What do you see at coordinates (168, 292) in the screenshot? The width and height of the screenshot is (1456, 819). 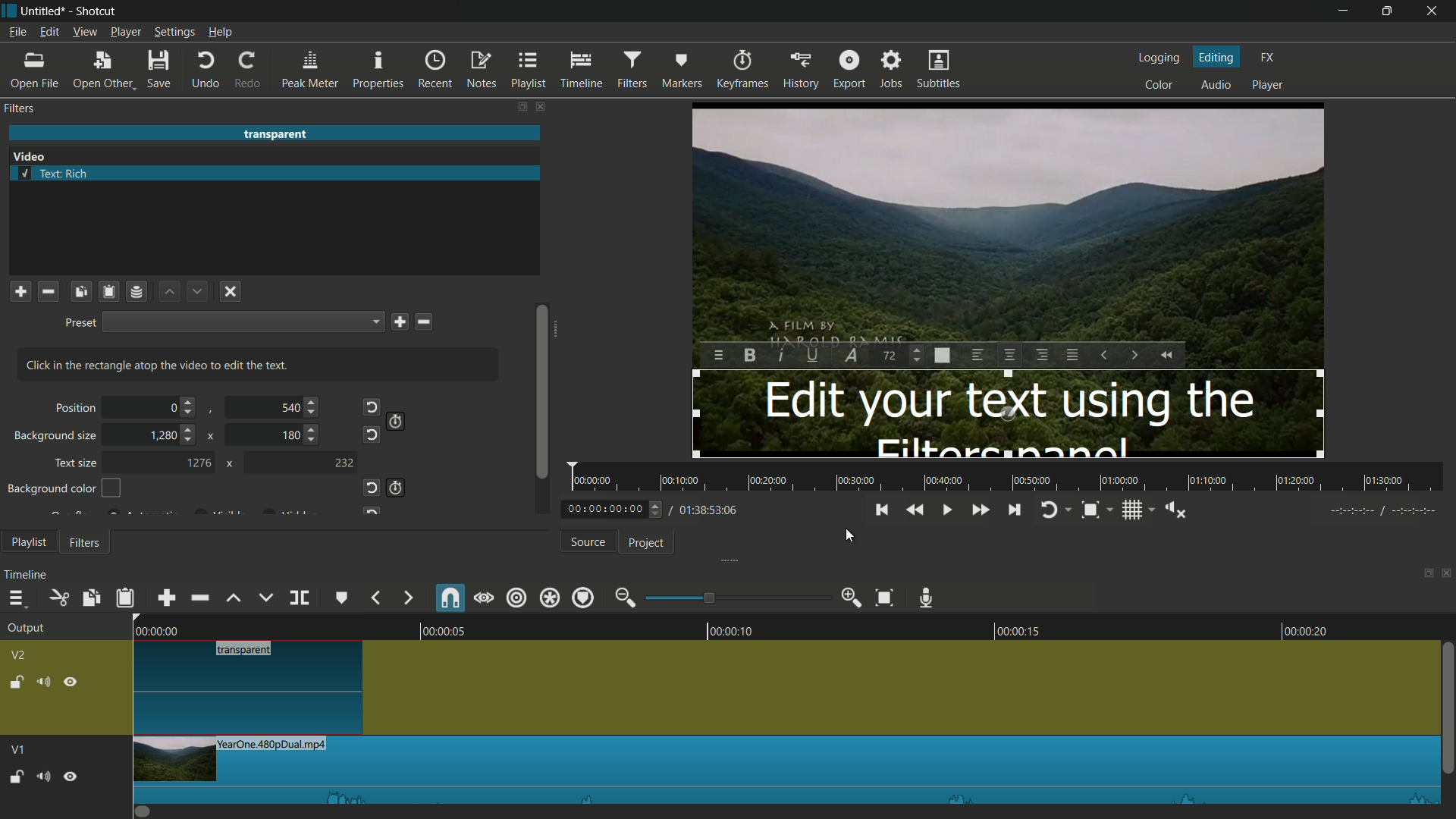 I see `up` at bounding box center [168, 292].